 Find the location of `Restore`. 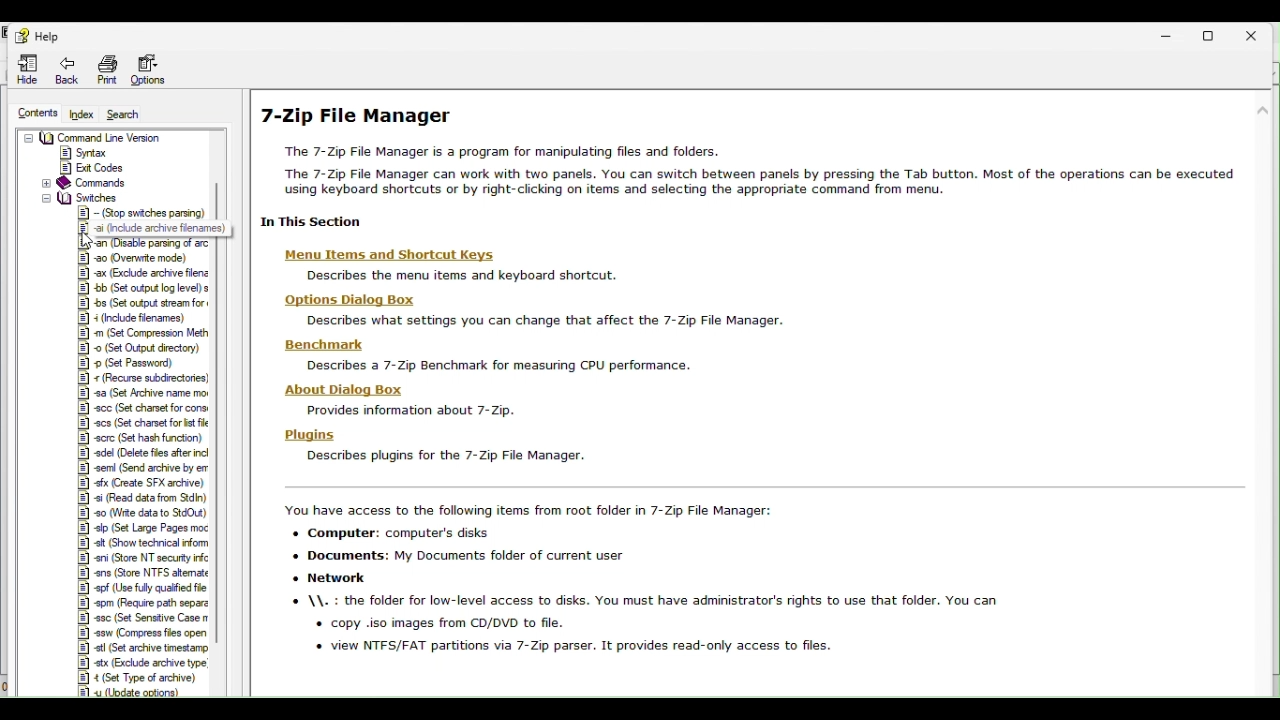

Restore is located at coordinates (1216, 33).